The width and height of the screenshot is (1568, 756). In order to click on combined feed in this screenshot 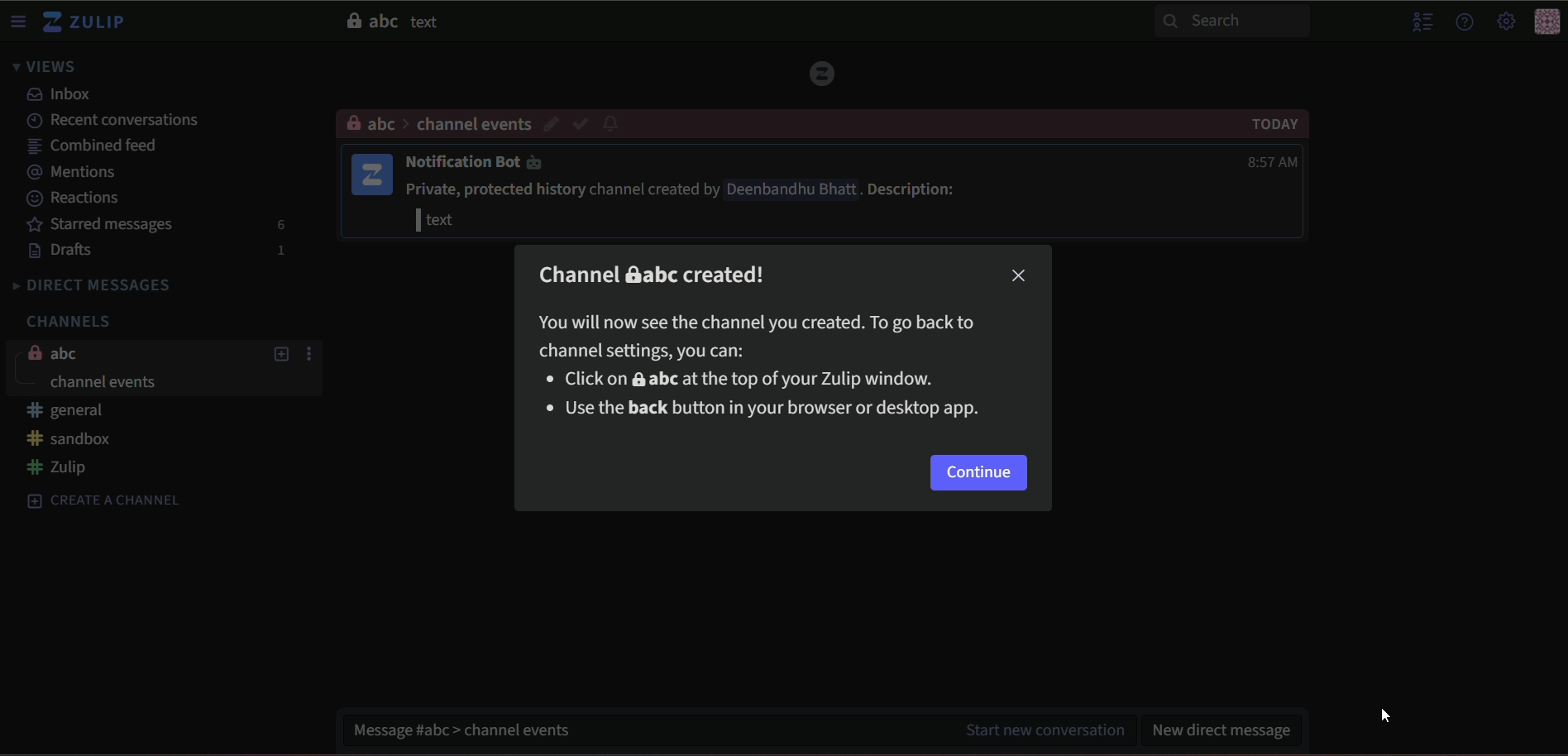, I will do `click(92, 147)`.